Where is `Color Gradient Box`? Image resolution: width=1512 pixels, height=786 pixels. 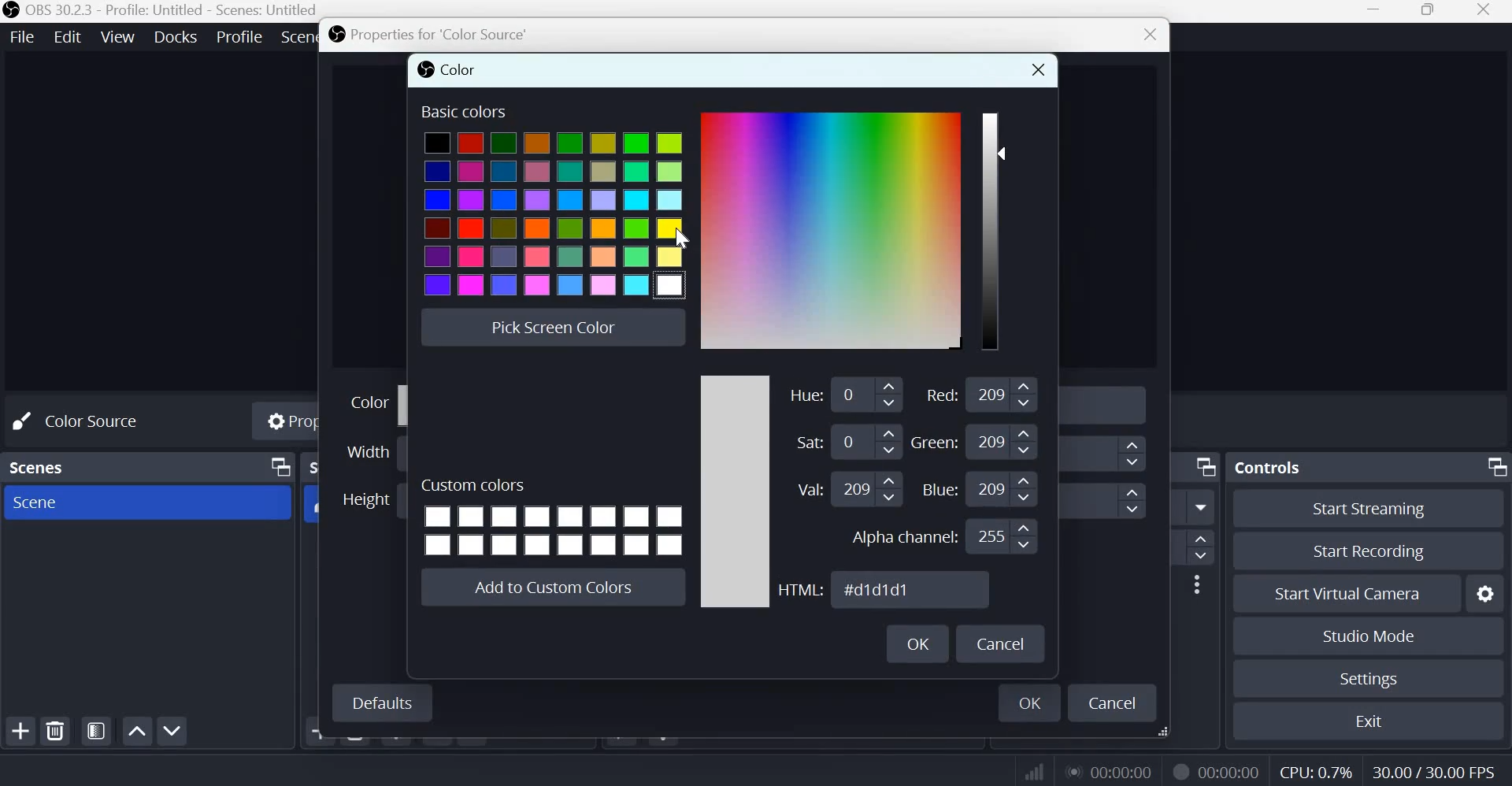 Color Gradient Box is located at coordinates (832, 231).